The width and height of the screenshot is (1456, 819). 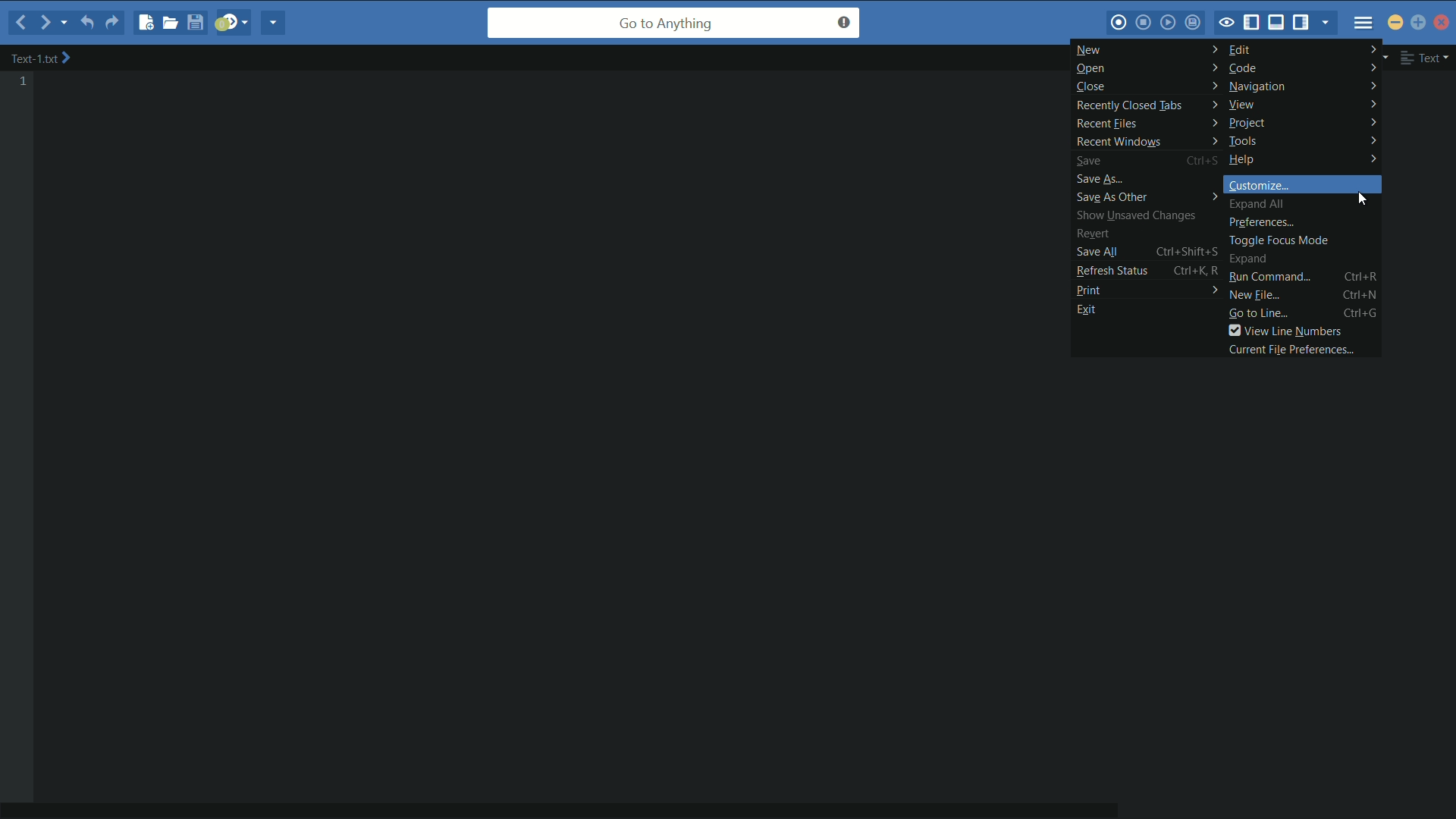 I want to click on new file, so click(x=1253, y=295).